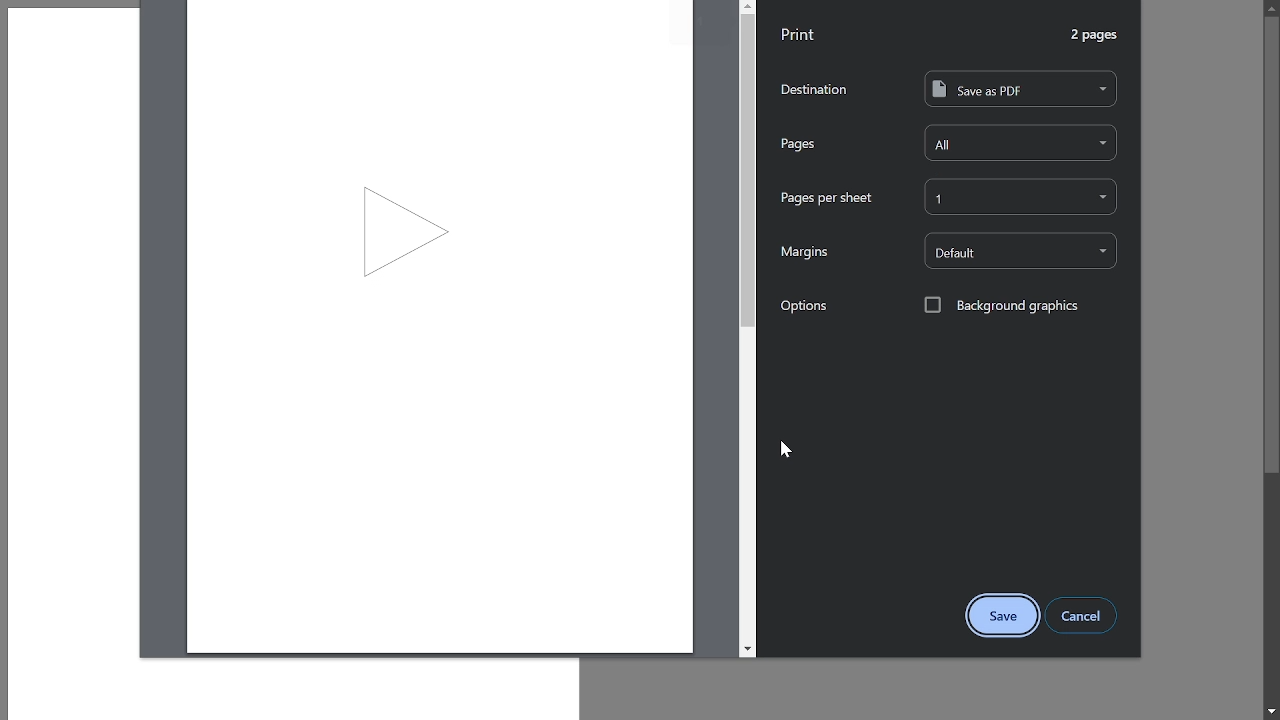 Image resolution: width=1280 pixels, height=720 pixels. What do you see at coordinates (798, 145) in the screenshot?
I see `Pages` at bounding box center [798, 145].